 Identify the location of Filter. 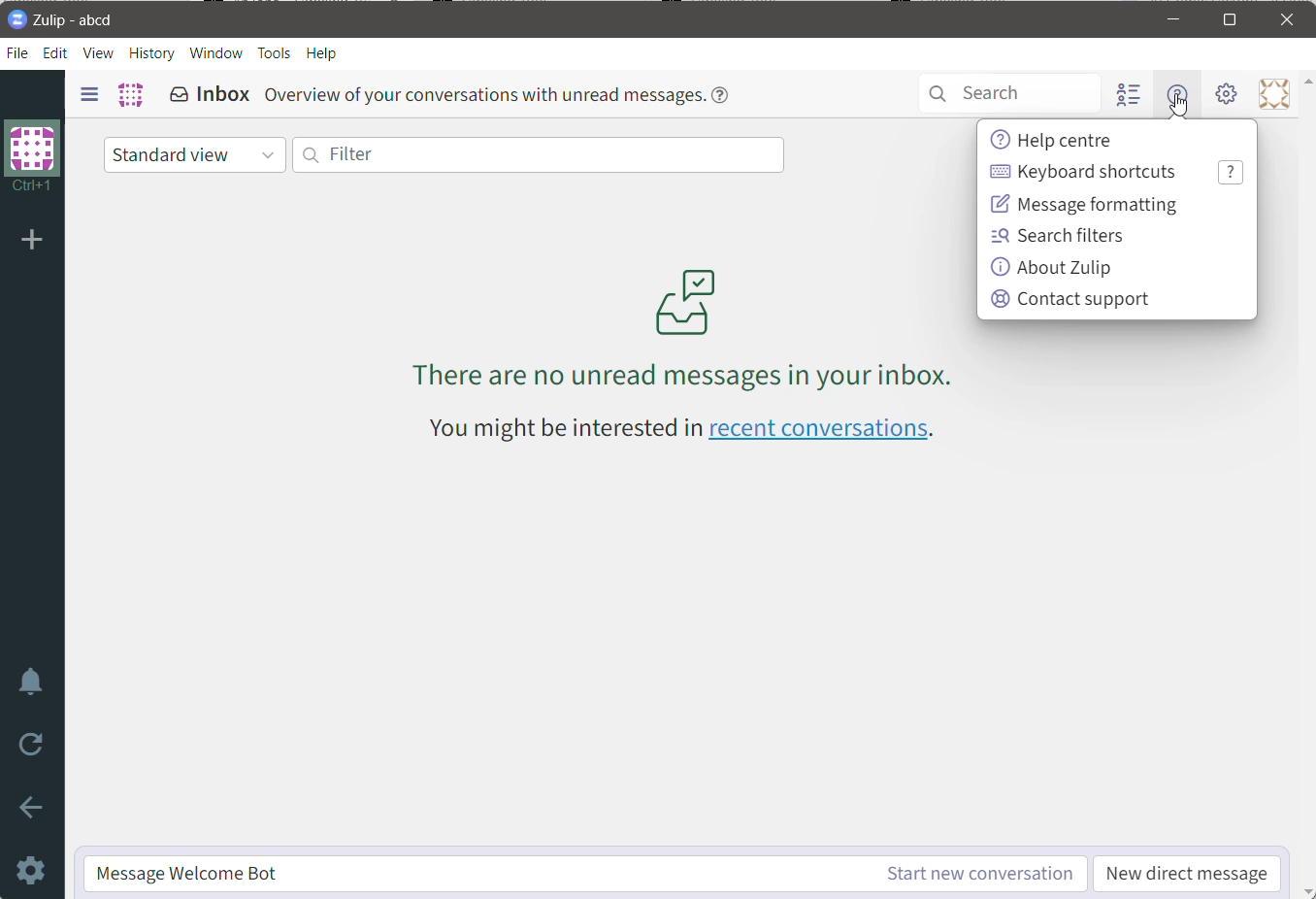
(540, 154).